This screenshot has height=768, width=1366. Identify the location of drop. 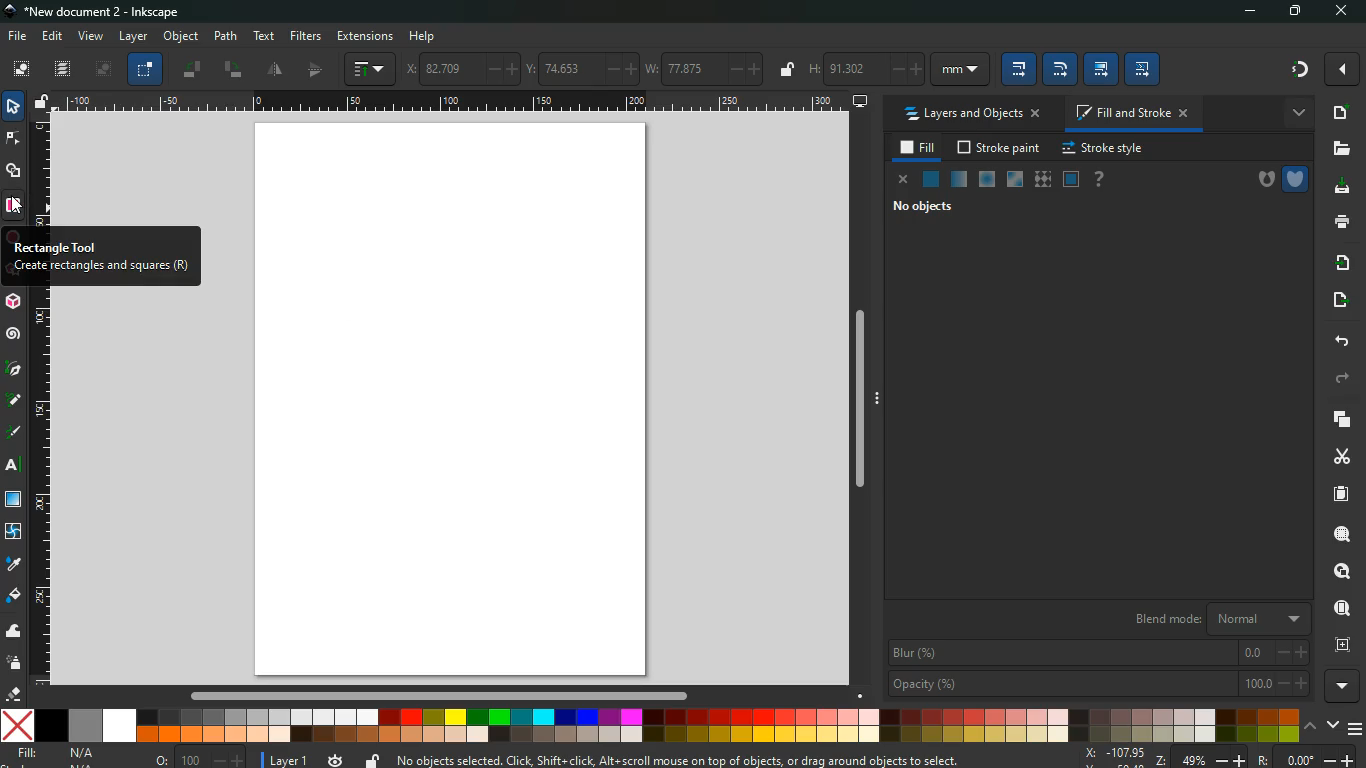
(13, 567).